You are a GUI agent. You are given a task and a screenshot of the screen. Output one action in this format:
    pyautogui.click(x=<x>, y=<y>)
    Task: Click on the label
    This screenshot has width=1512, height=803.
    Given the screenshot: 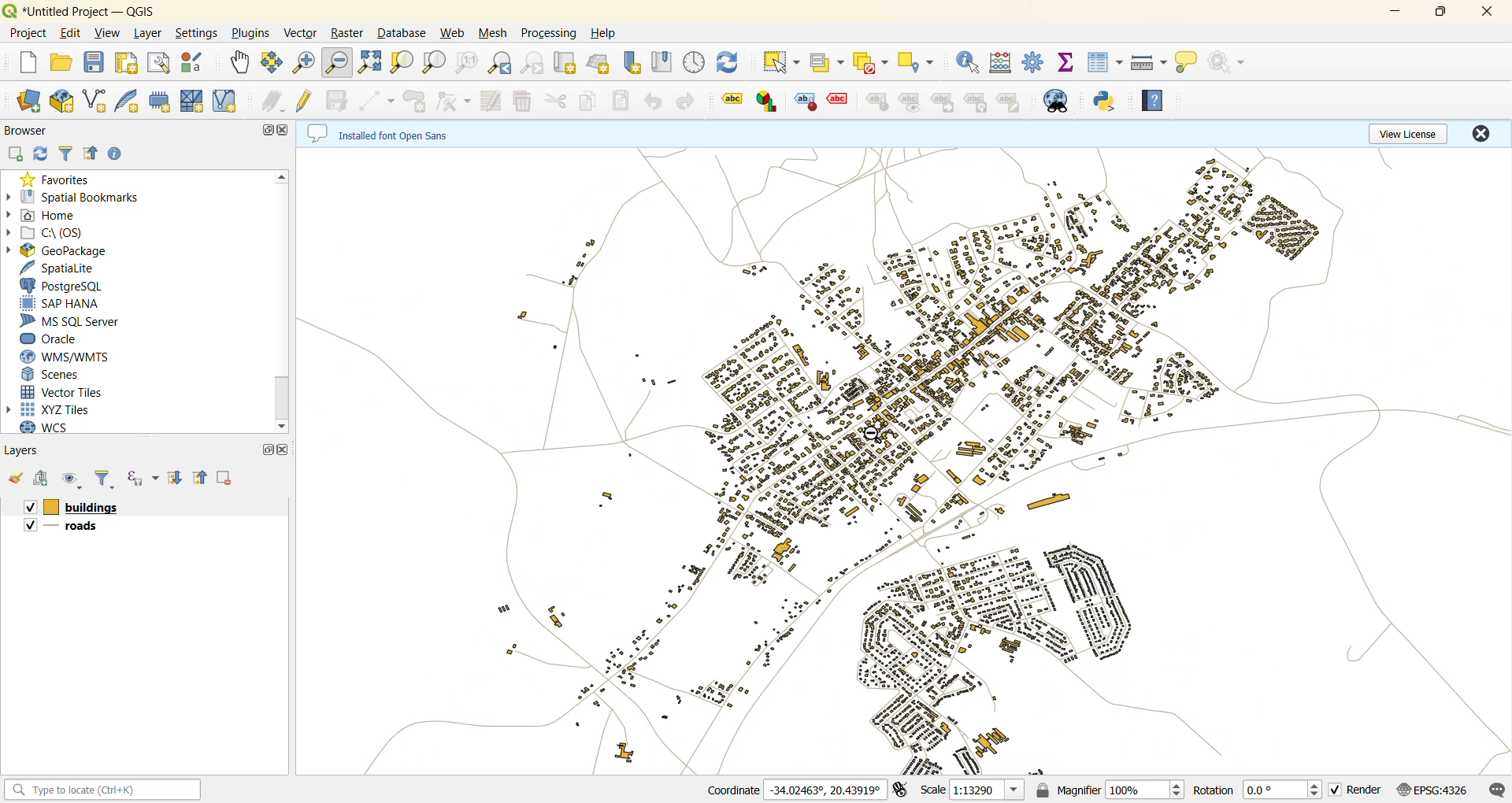 What is the action you would take?
    pyautogui.click(x=909, y=104)
    